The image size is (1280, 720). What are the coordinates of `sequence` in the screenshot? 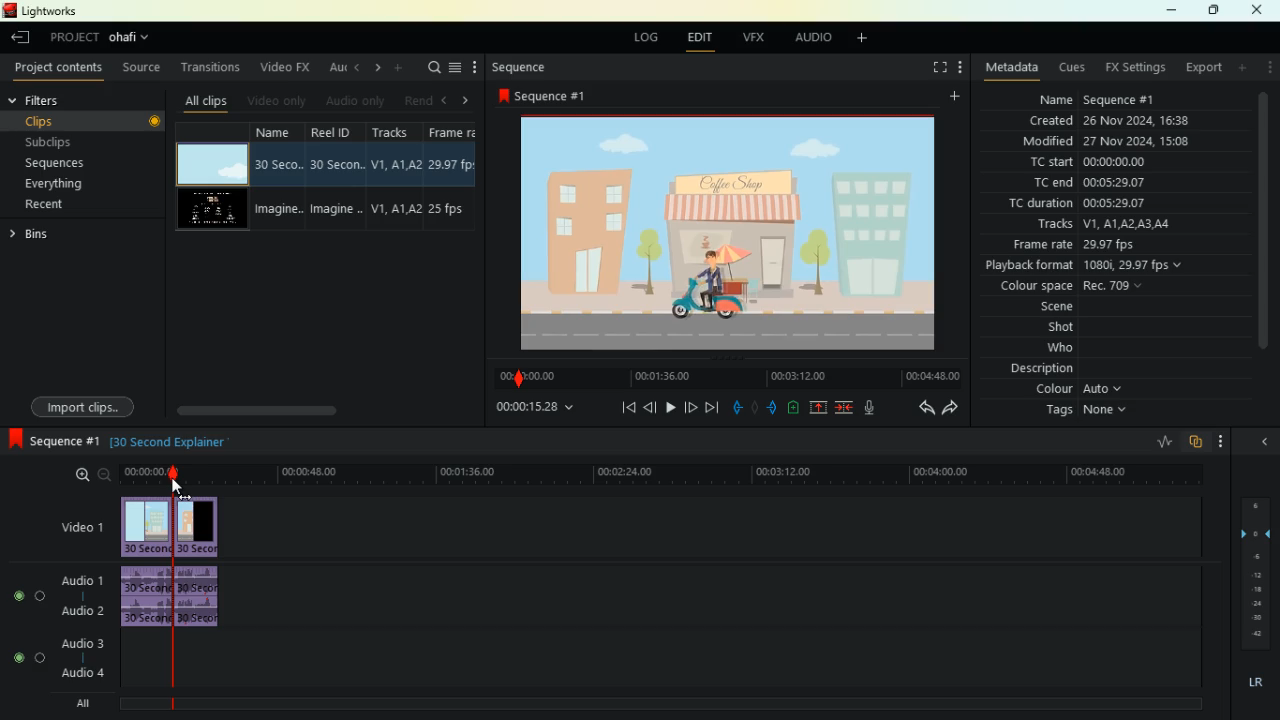 It's located at (51, 442).